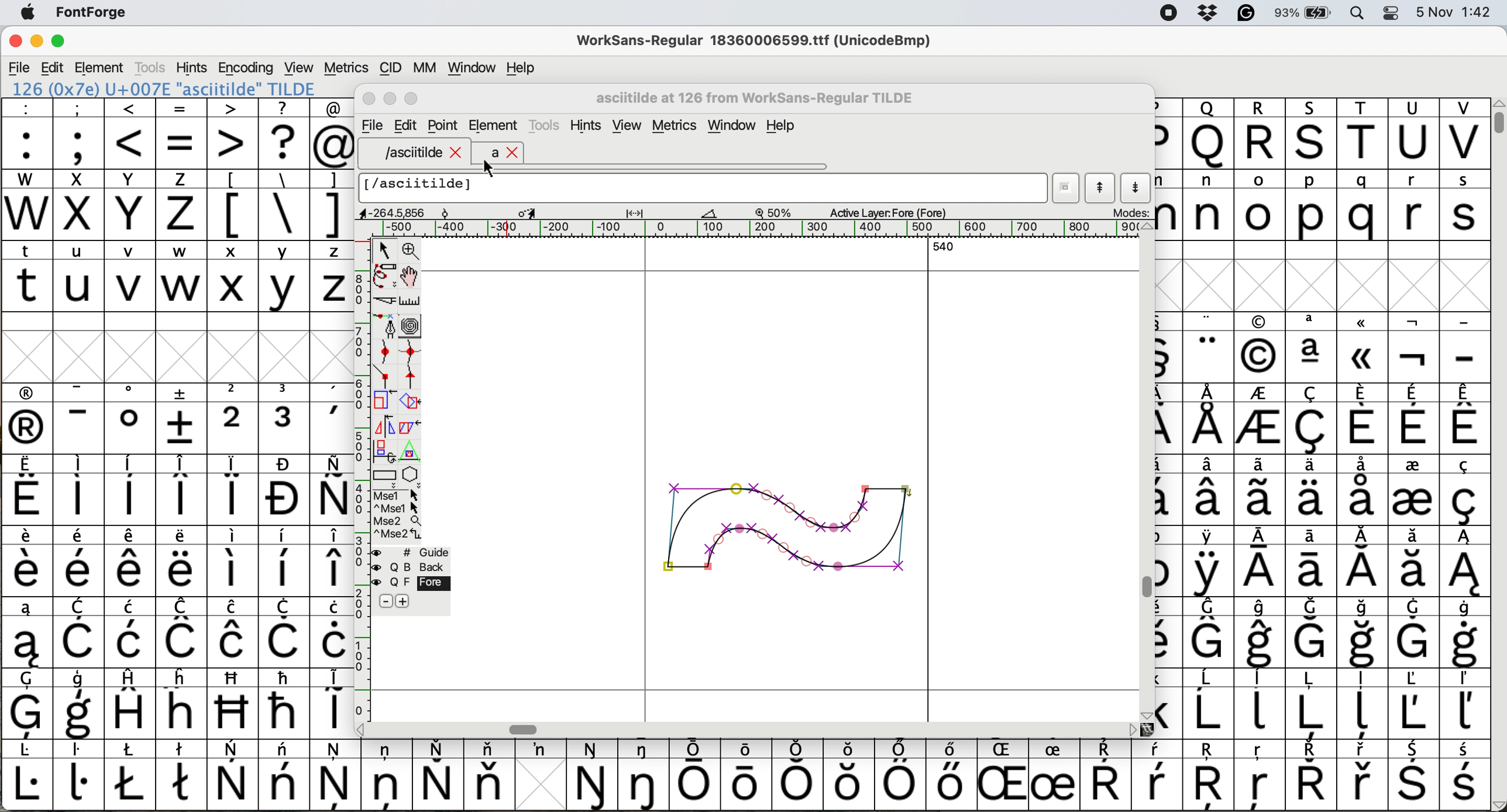 Image resolution: width=1507 pixels, height=812 pixels. What do you see at coordinates (411, 277) in the screenshot?
I see `scroll by hand` at bounding box center [411, 277].